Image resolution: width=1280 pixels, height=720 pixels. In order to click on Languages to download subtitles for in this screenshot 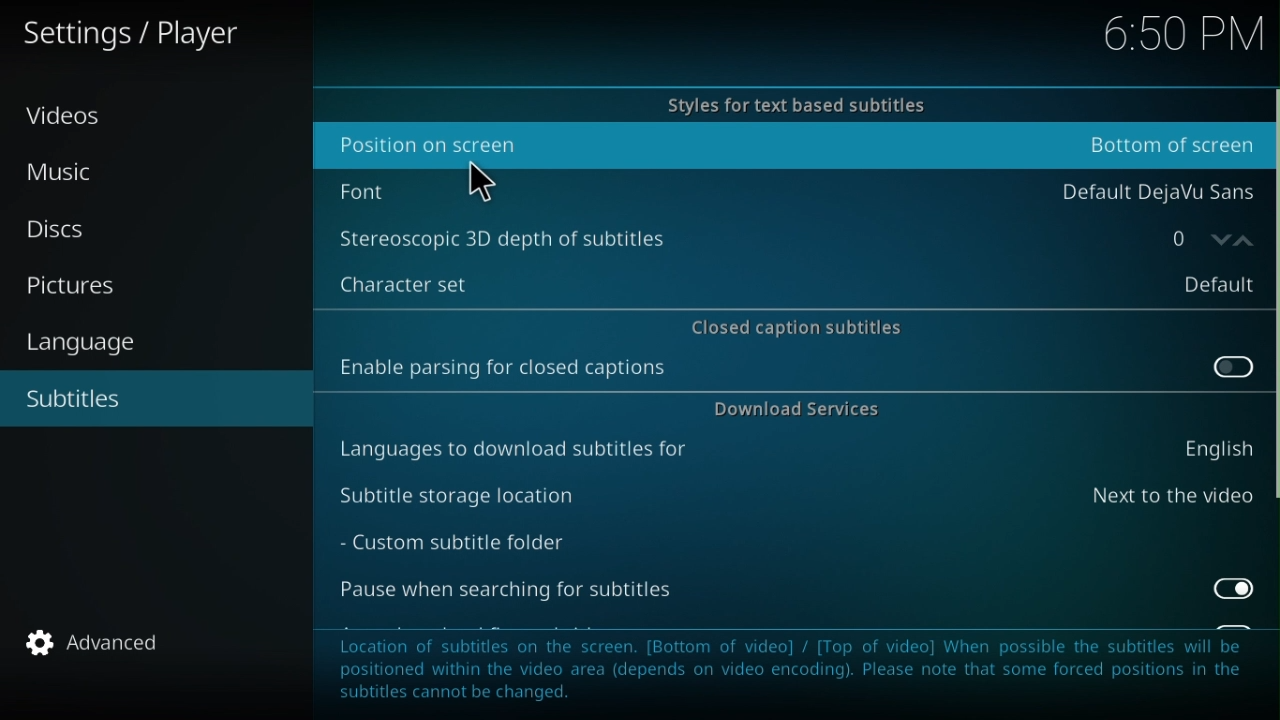, I will do `click(794, 451)`.